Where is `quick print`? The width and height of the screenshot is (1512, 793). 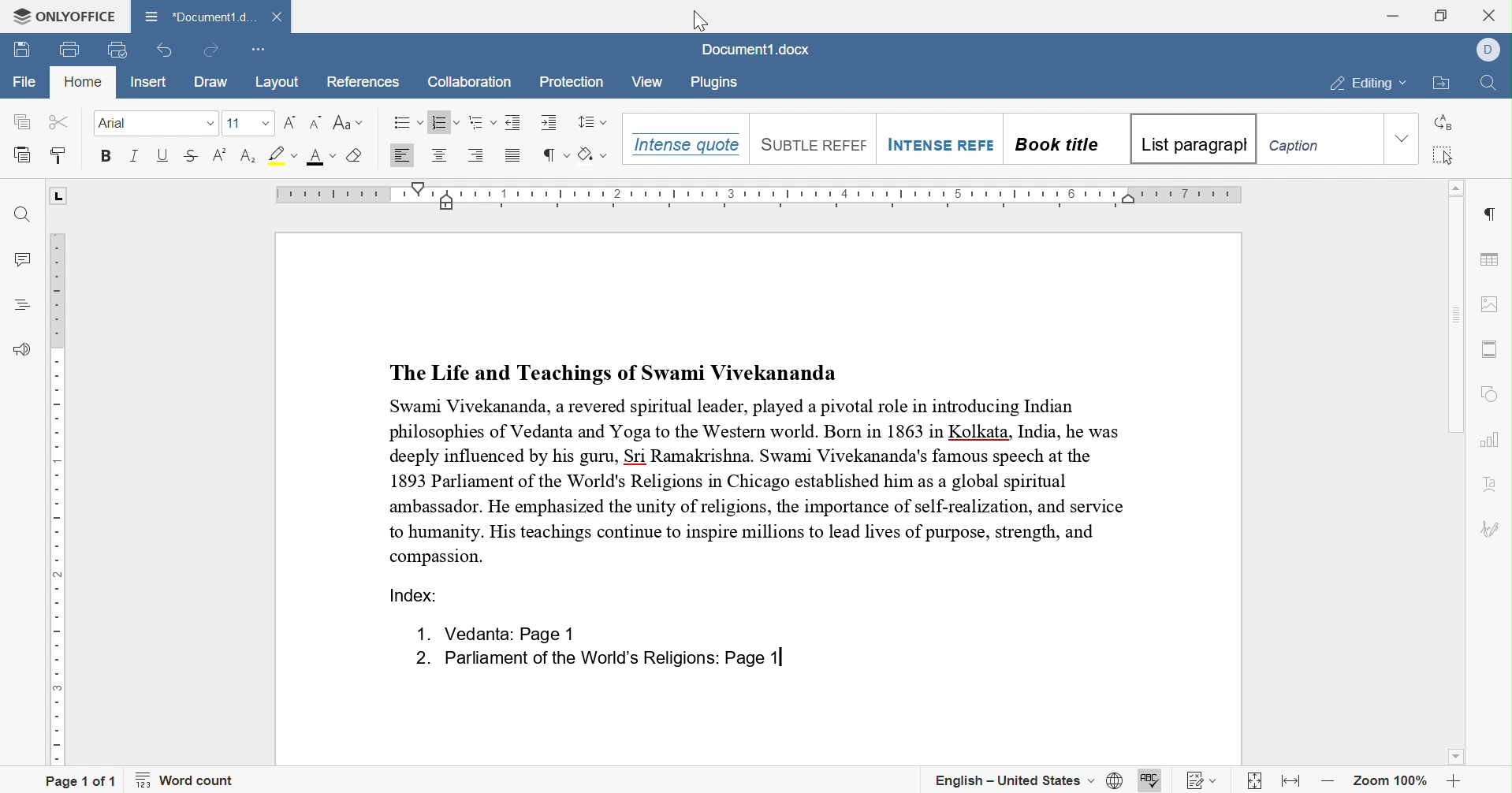 quick print is located at coordinates (113, 49).